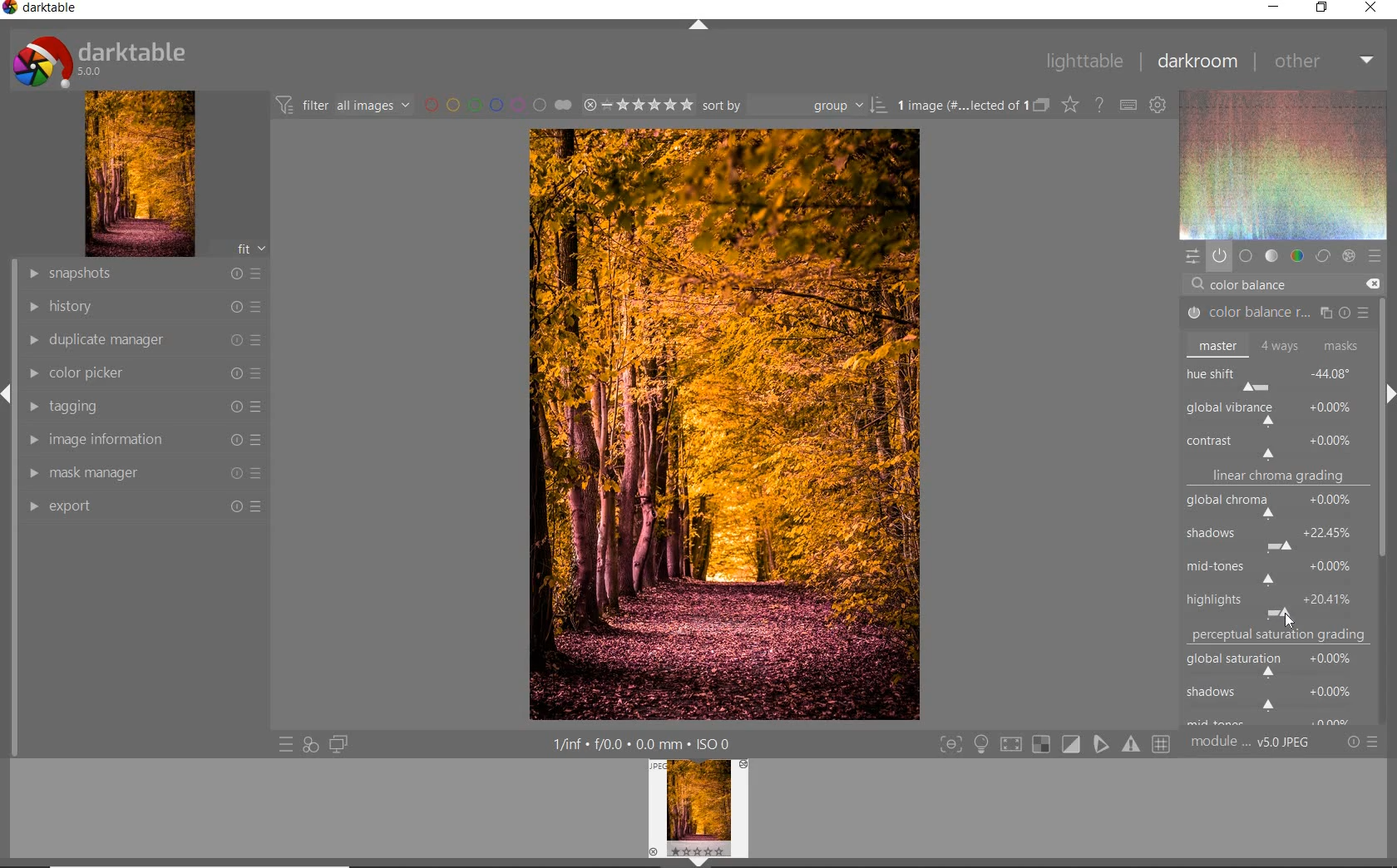 Image resolution: width=1397 pixels, height=868 pixels. I want to click on enable for online help, so click(1101, 105).